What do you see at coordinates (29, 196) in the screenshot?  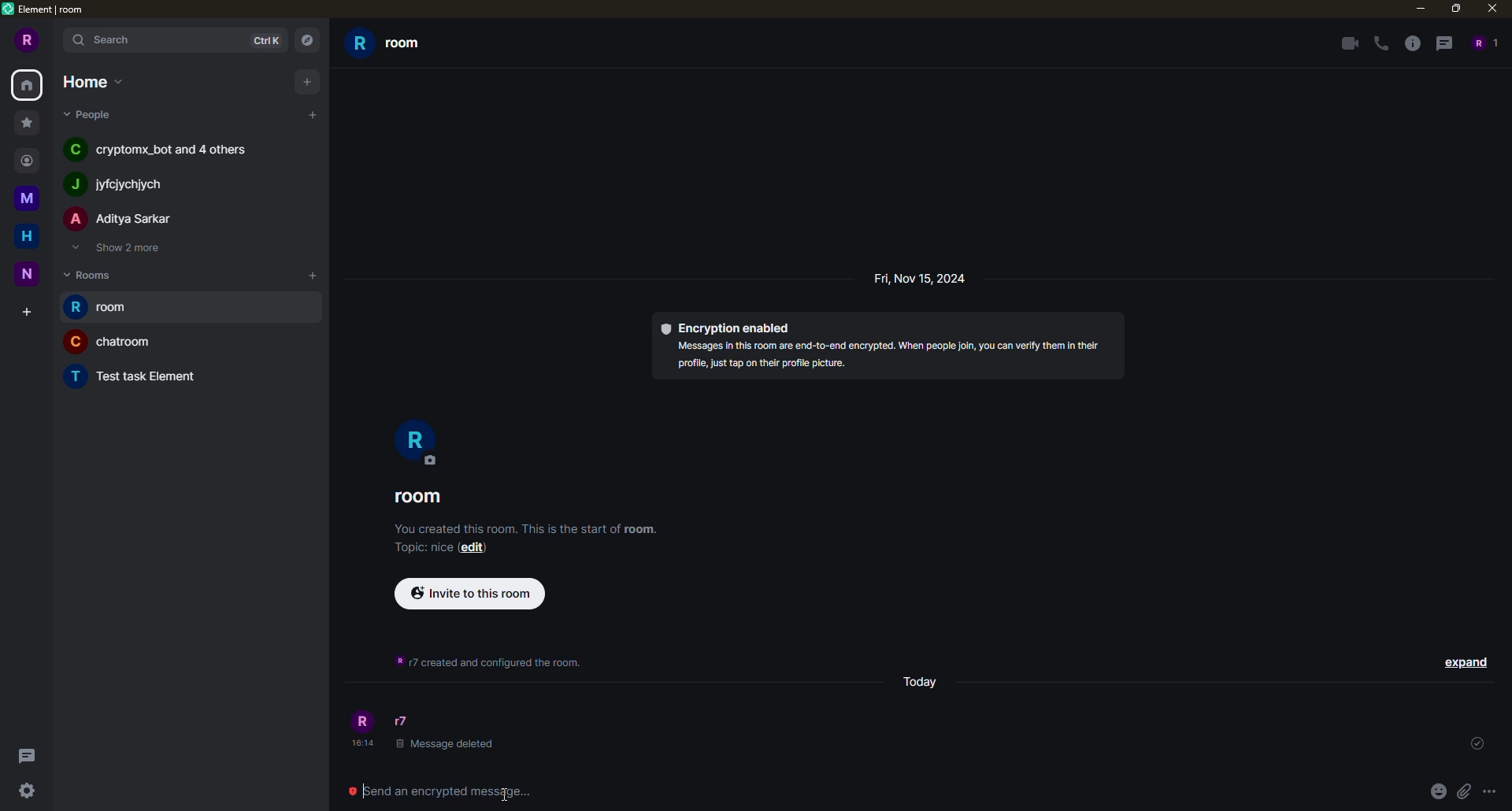 I see `space` at bounding box center [29, 196].